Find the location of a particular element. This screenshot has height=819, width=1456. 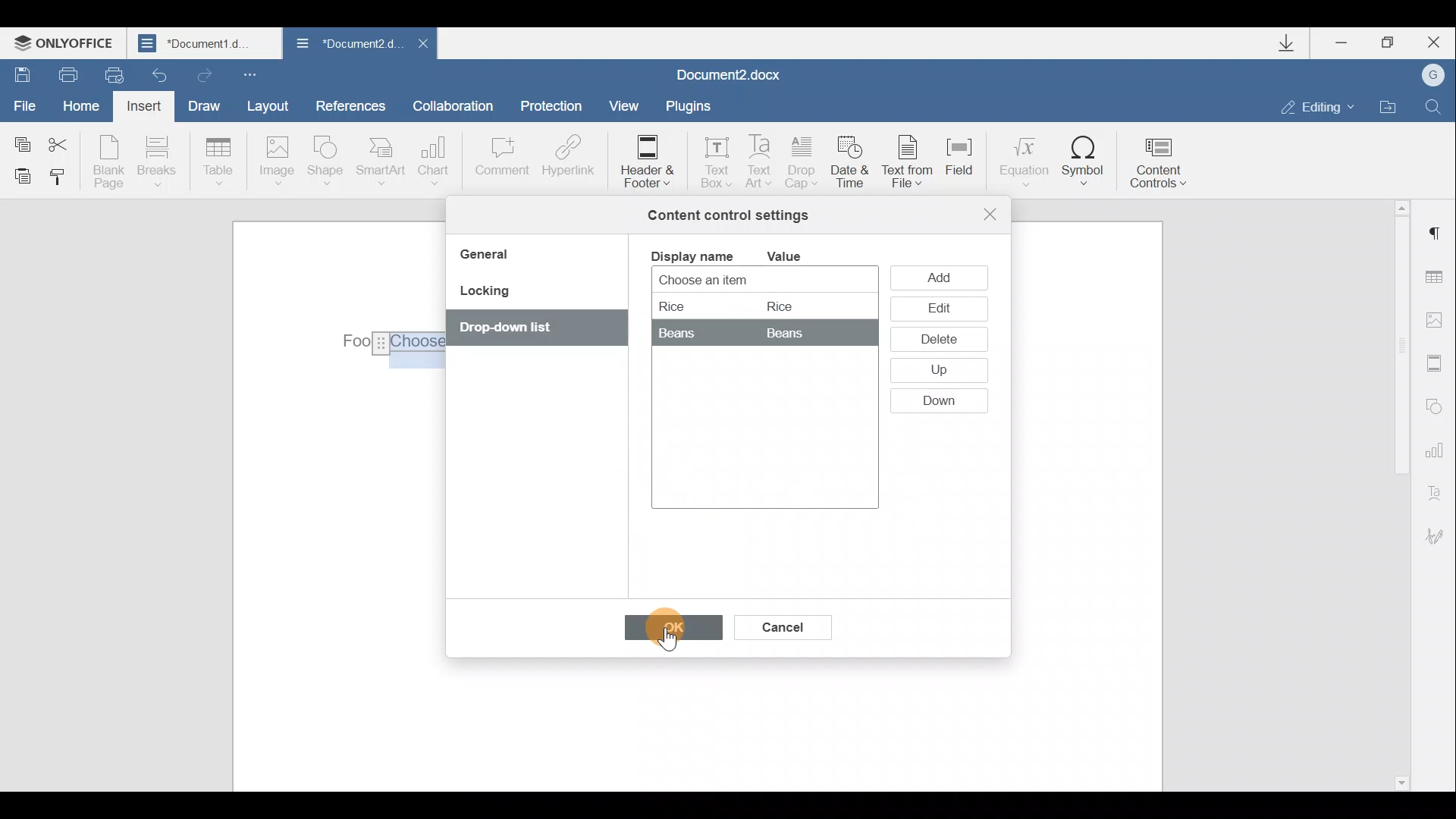

Close is located at coordinates (990, 214).